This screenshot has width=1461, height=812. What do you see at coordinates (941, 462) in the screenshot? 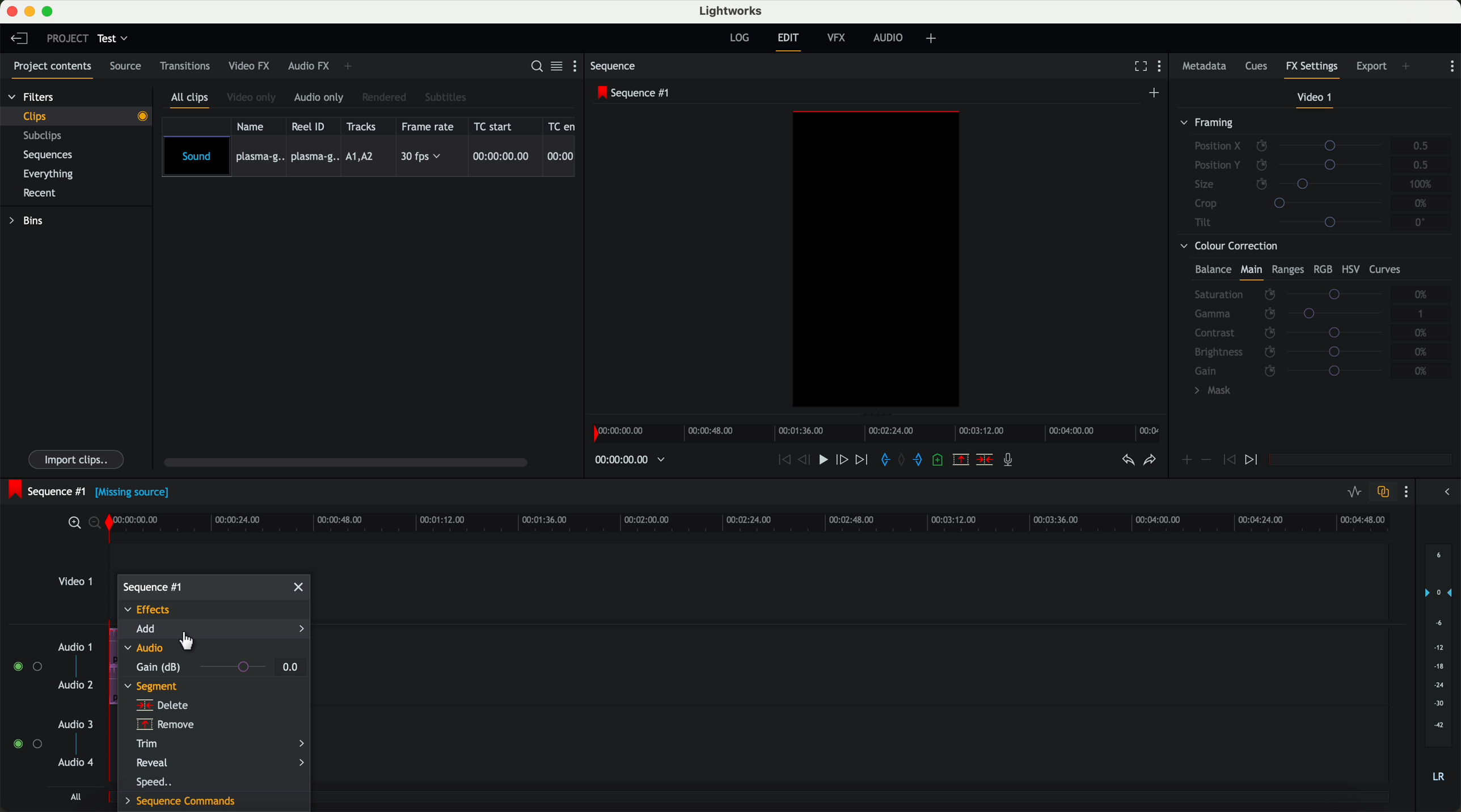
I see `add a cue at the current position` at bounding box center [941, 462].